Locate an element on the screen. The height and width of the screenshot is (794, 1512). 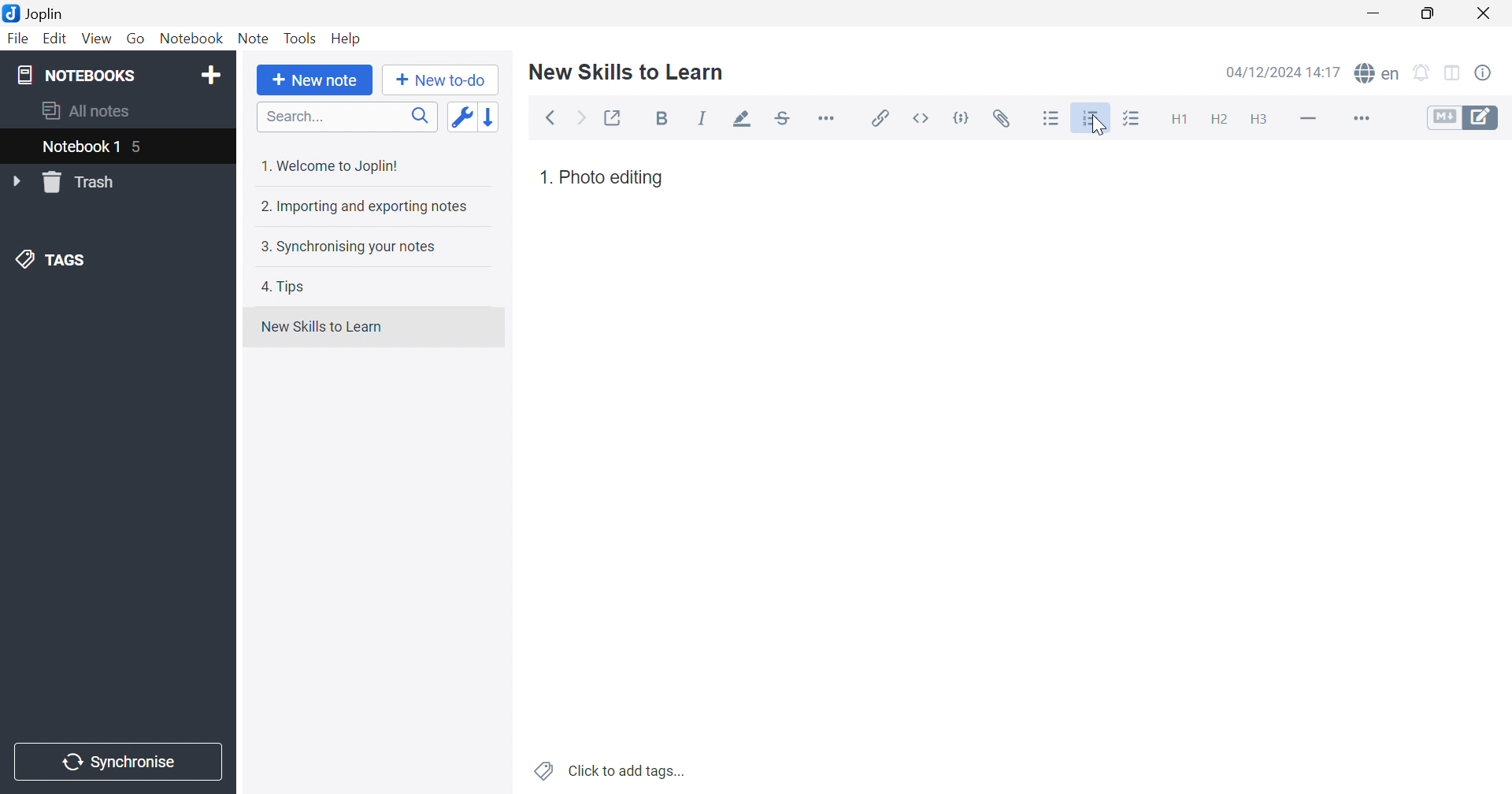
More... is located at coordinates (826, 117).